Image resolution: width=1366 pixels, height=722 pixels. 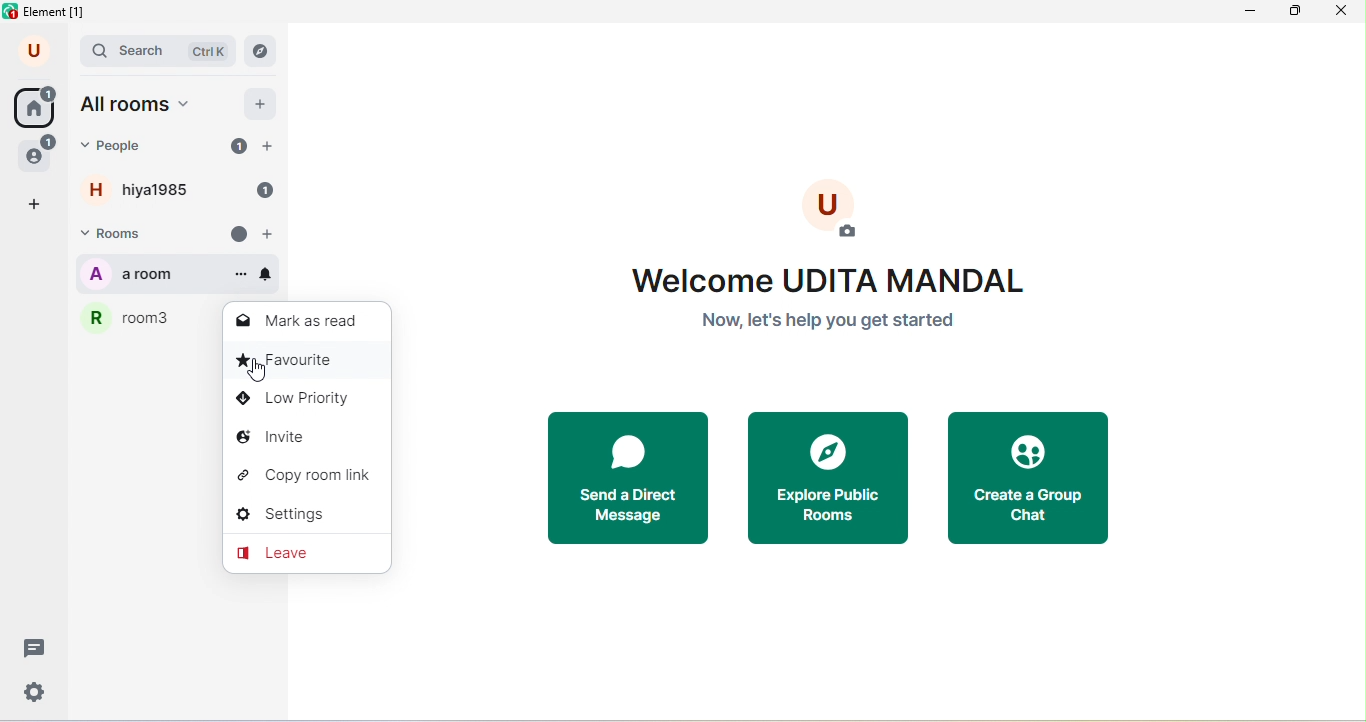 I want to click on add photo, so click(x=832, y=210).